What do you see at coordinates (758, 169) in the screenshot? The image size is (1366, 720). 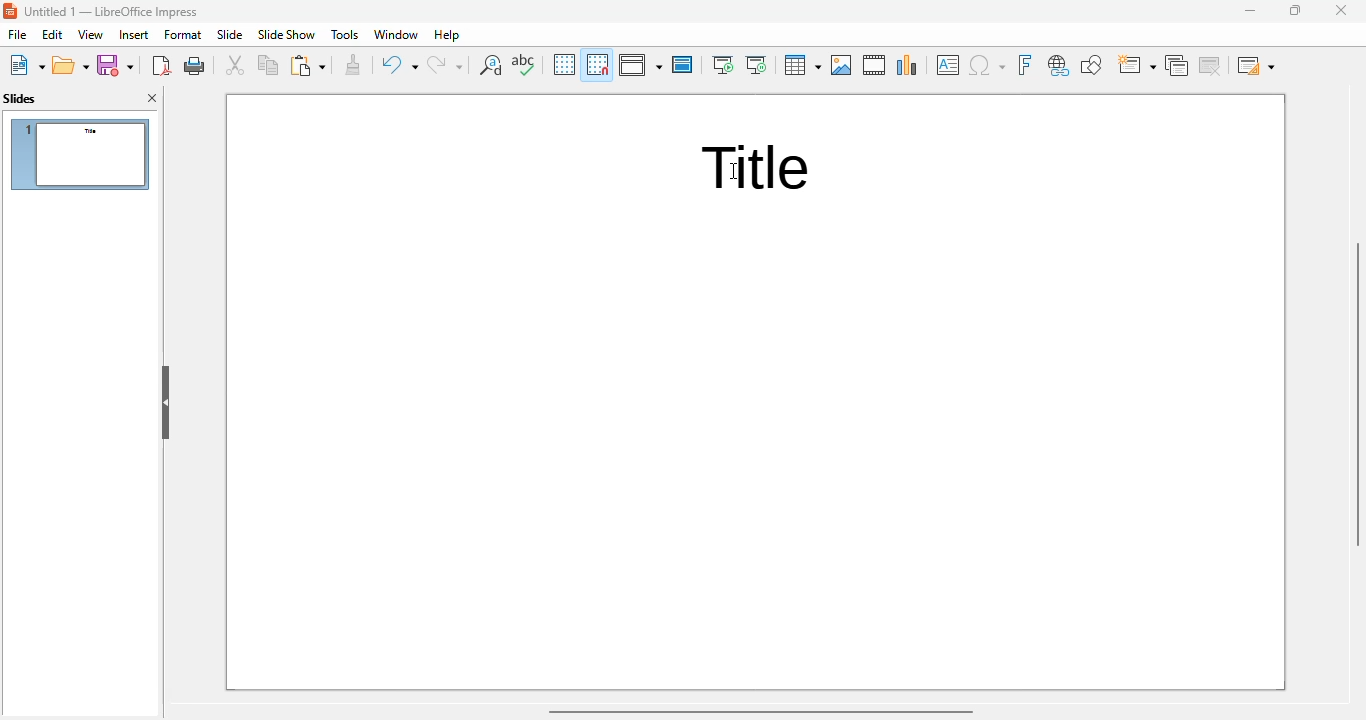 I see `title` at bounding box center [758, 169].